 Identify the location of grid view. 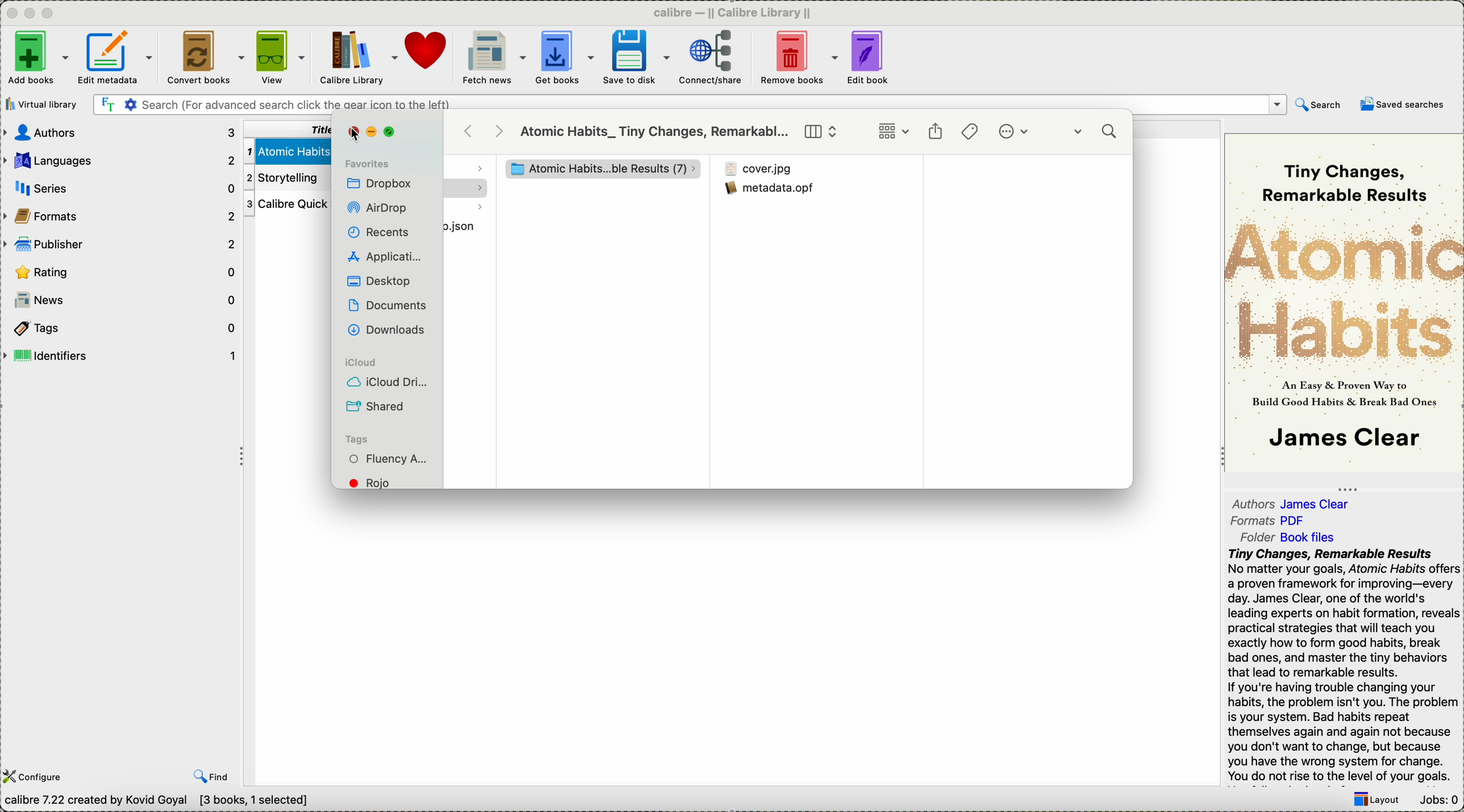
(893, 132).